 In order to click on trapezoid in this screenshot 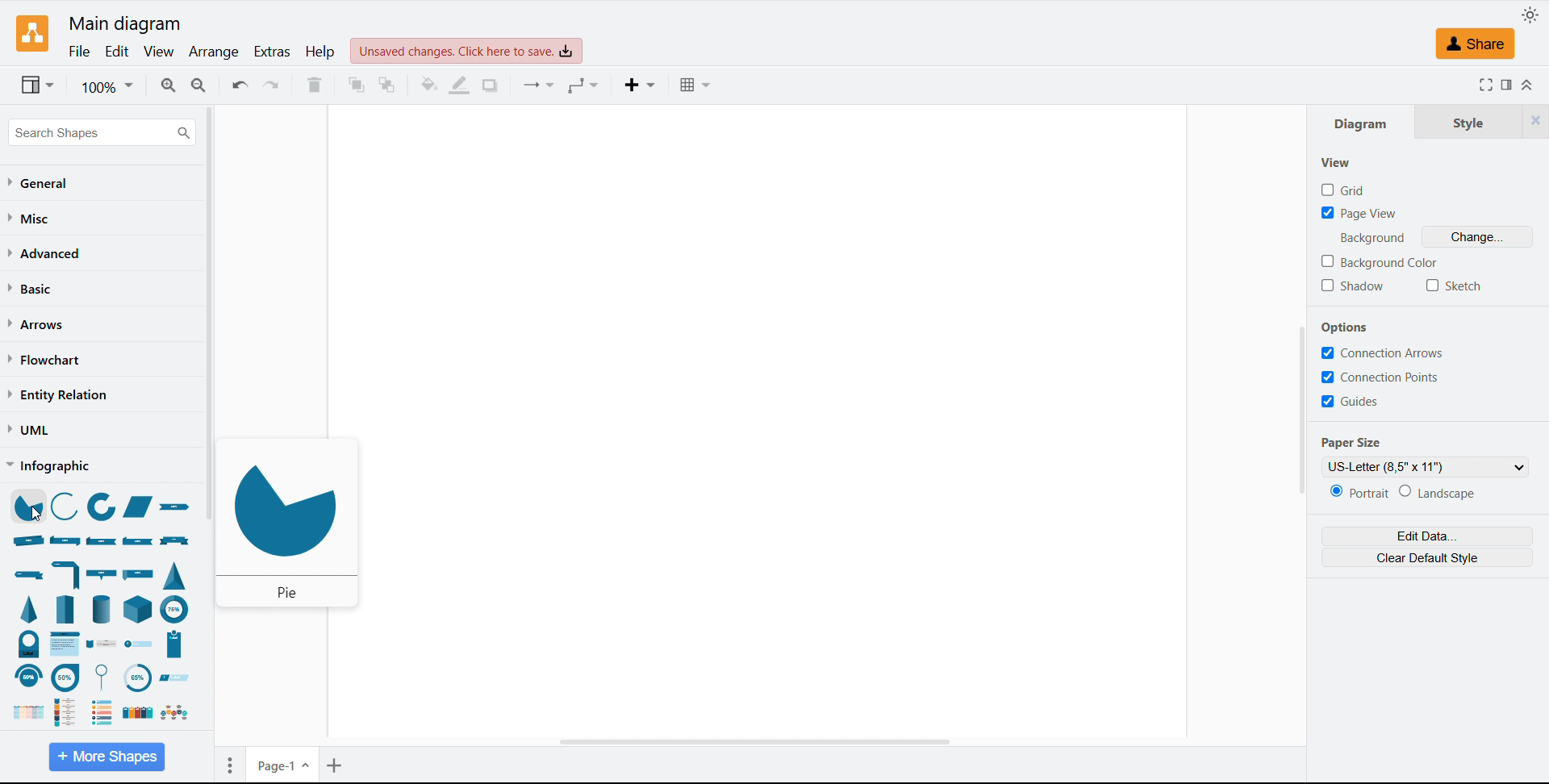, I will do `click(140, 507)`.